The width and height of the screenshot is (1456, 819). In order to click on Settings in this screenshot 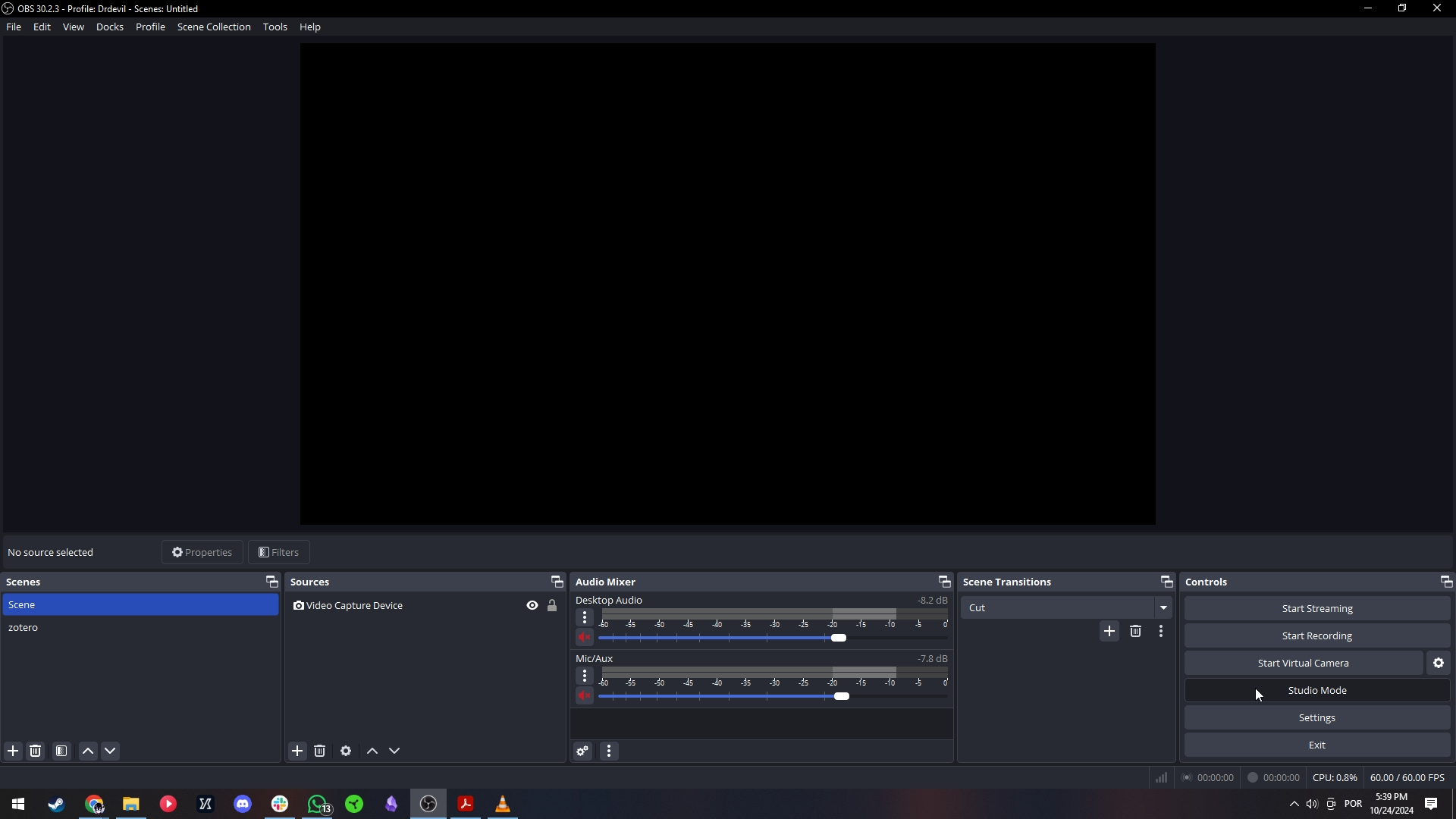, I will do `click(1319, 717)`.